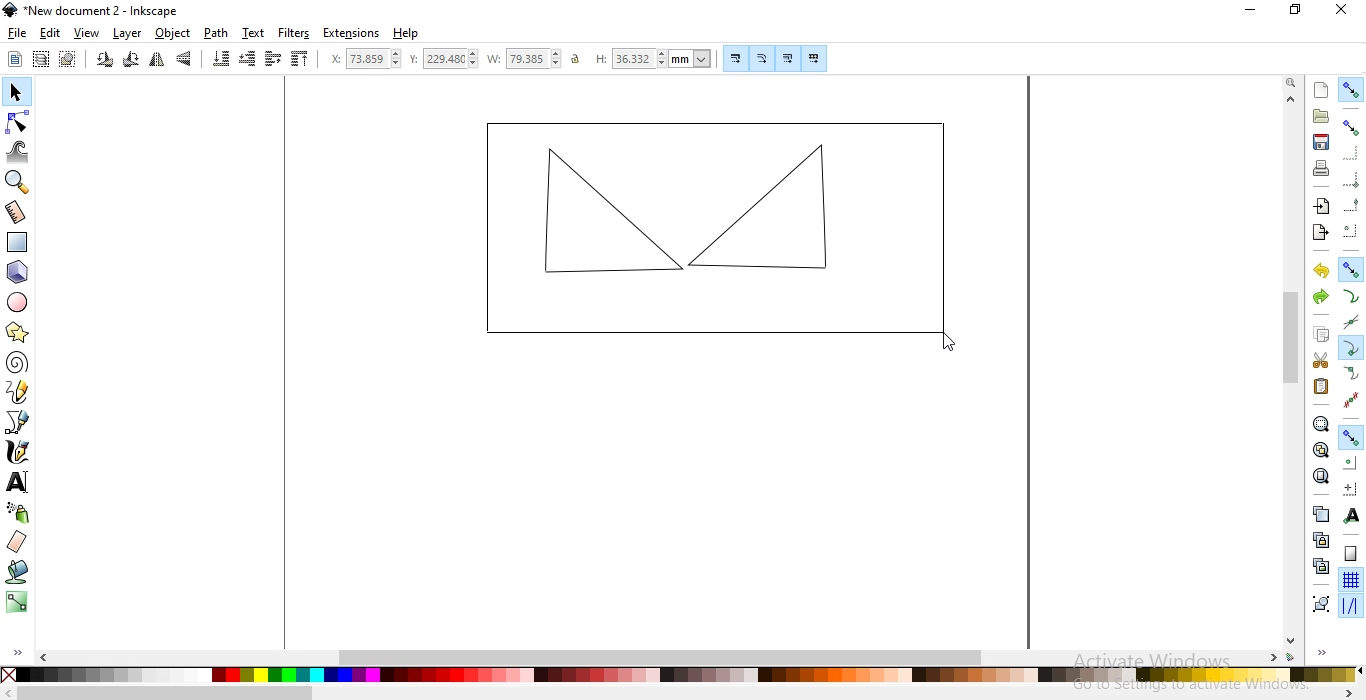  I want to click on deselect any selected objects or nodes, so click(67, 60).